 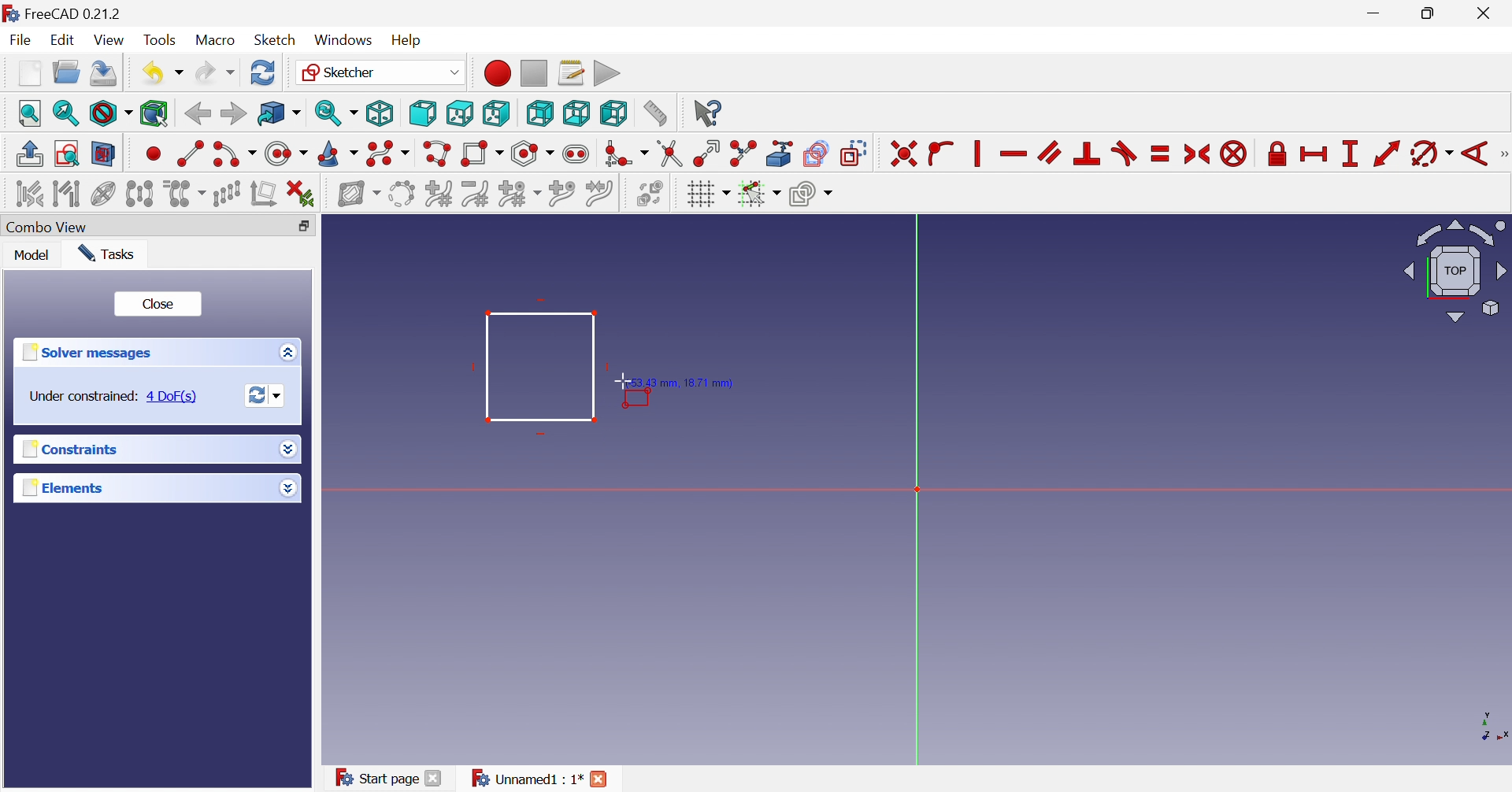 I want to click on Create arc, so click(x=234, y=154).